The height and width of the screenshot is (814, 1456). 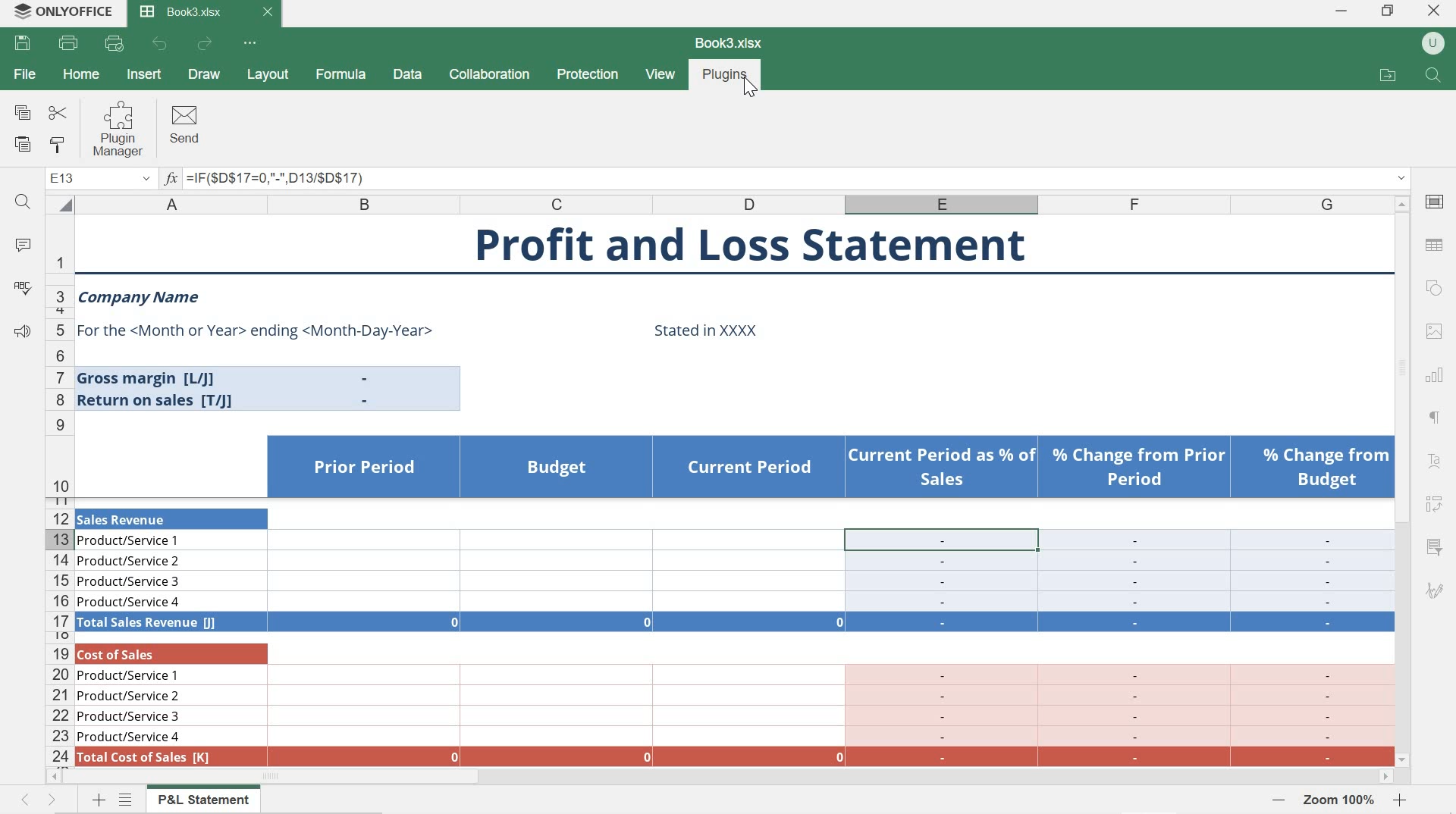 What do you see at coordinates (97, 800) in the screenshot?
I see `add new sheet` at bounding box center [97, 800].